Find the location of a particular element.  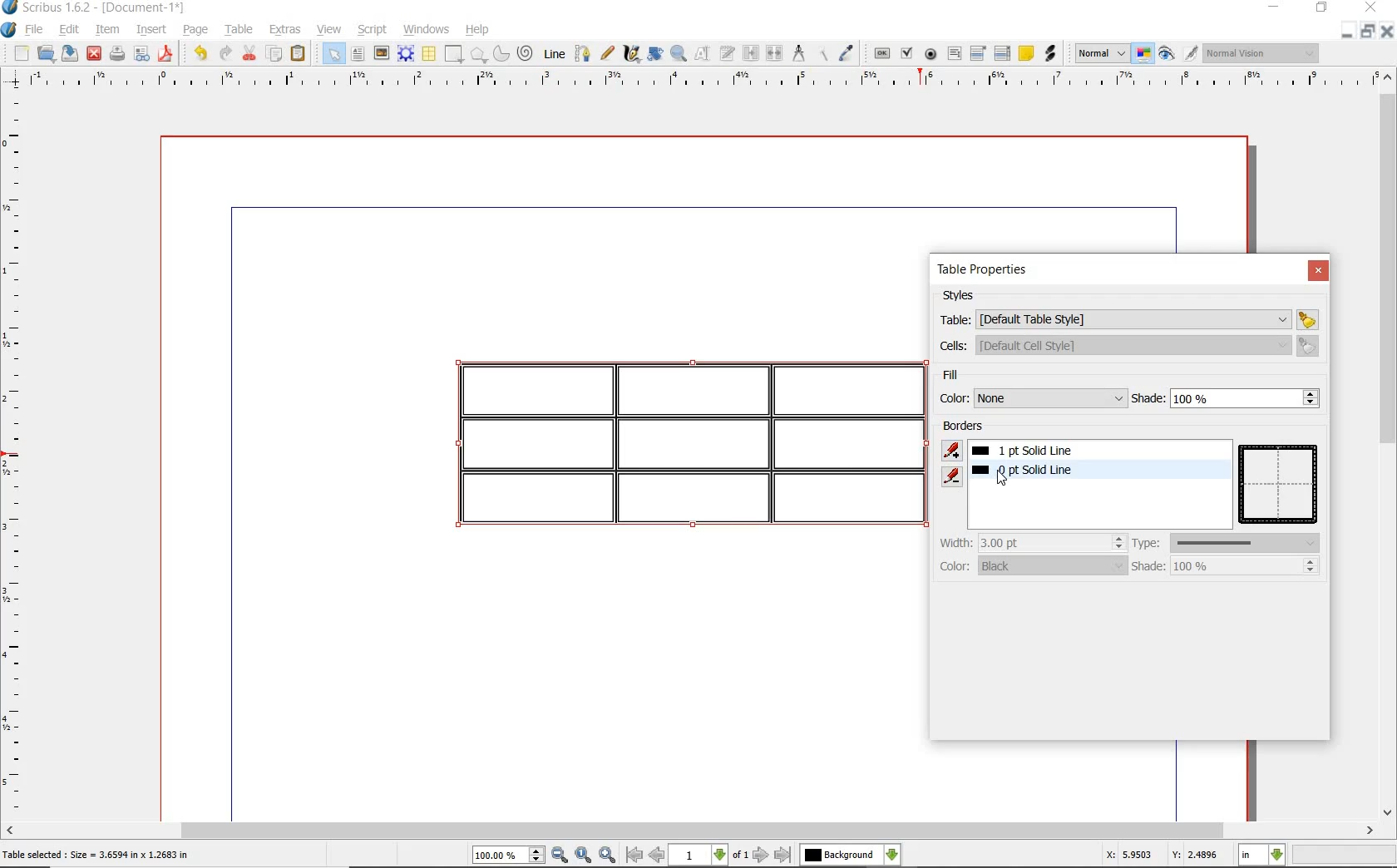

select item is located at coordinates (332, 53).